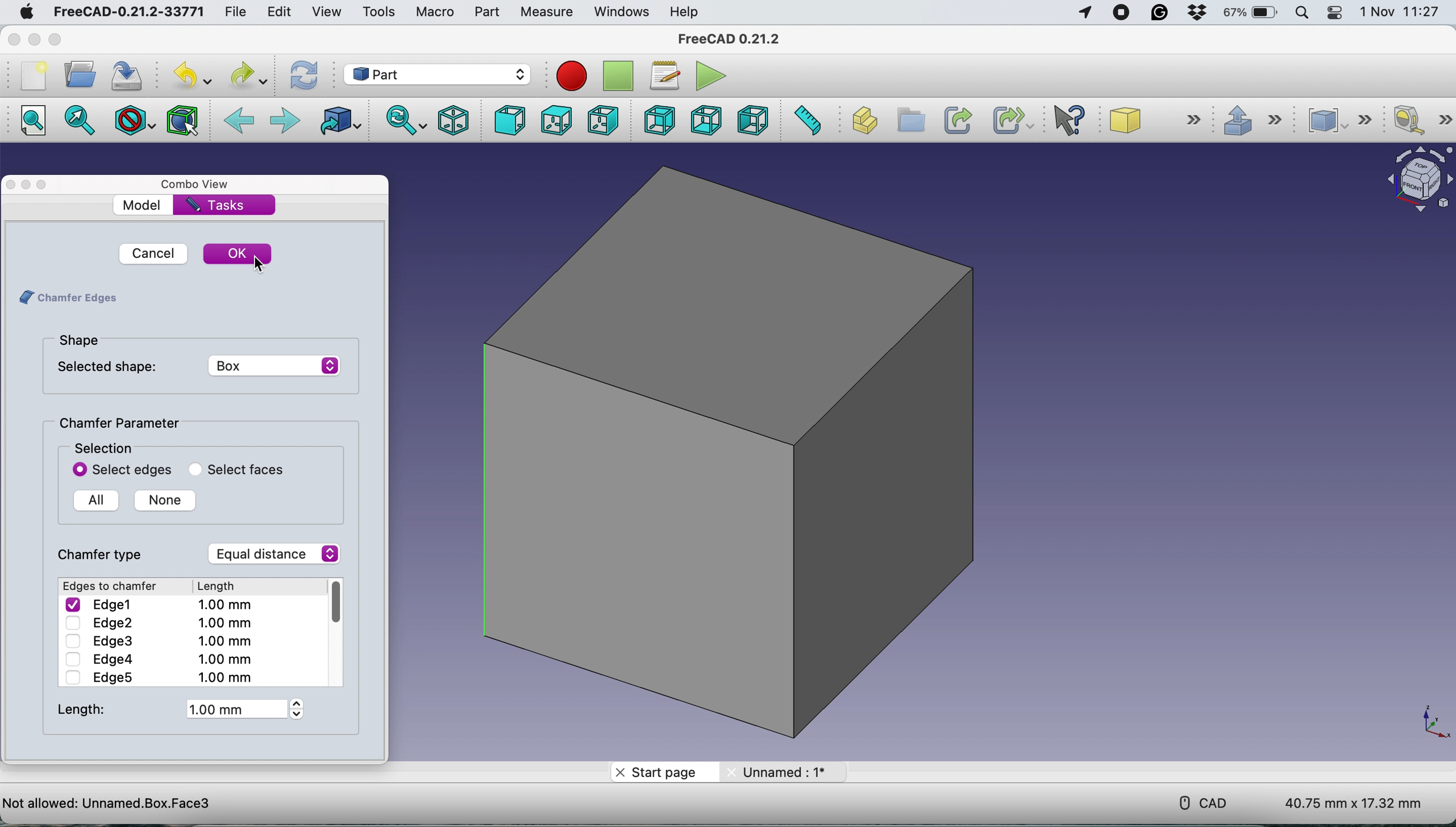  I want to click on grammarly, so click(1160, 13).